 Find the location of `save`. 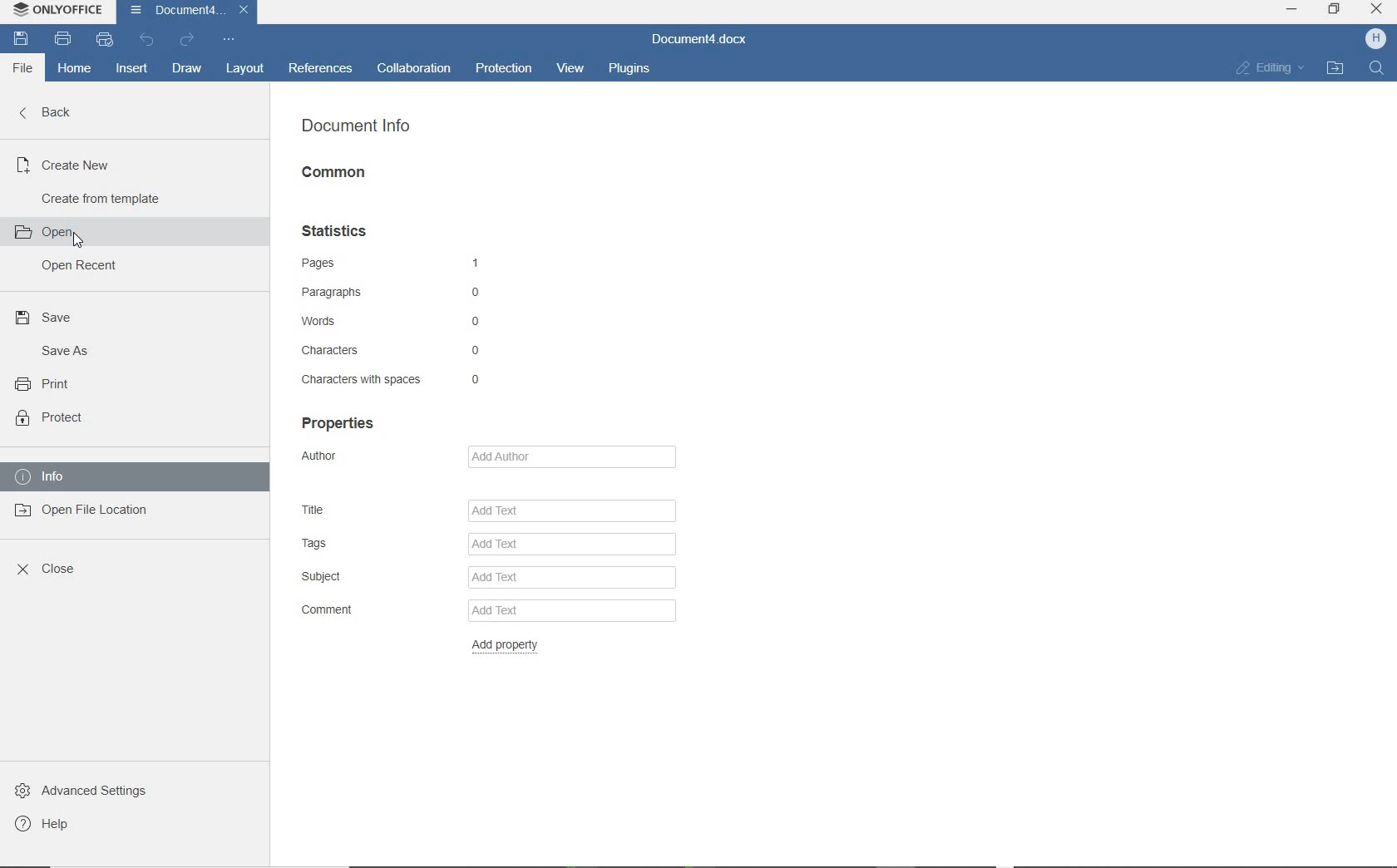

save is located at coordinates (22, 39).